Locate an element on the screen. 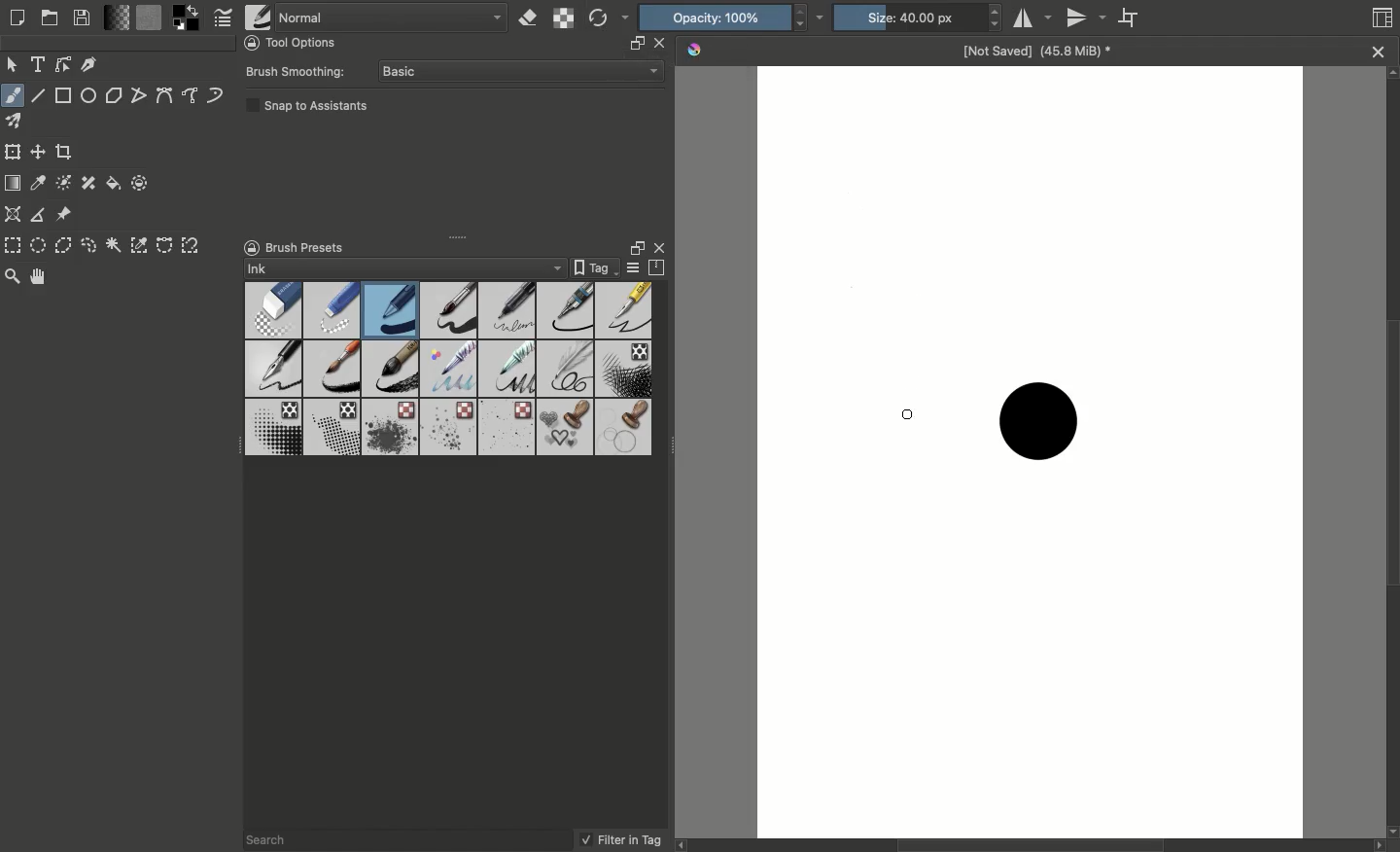  Transform is located at coordinates (13, 152).